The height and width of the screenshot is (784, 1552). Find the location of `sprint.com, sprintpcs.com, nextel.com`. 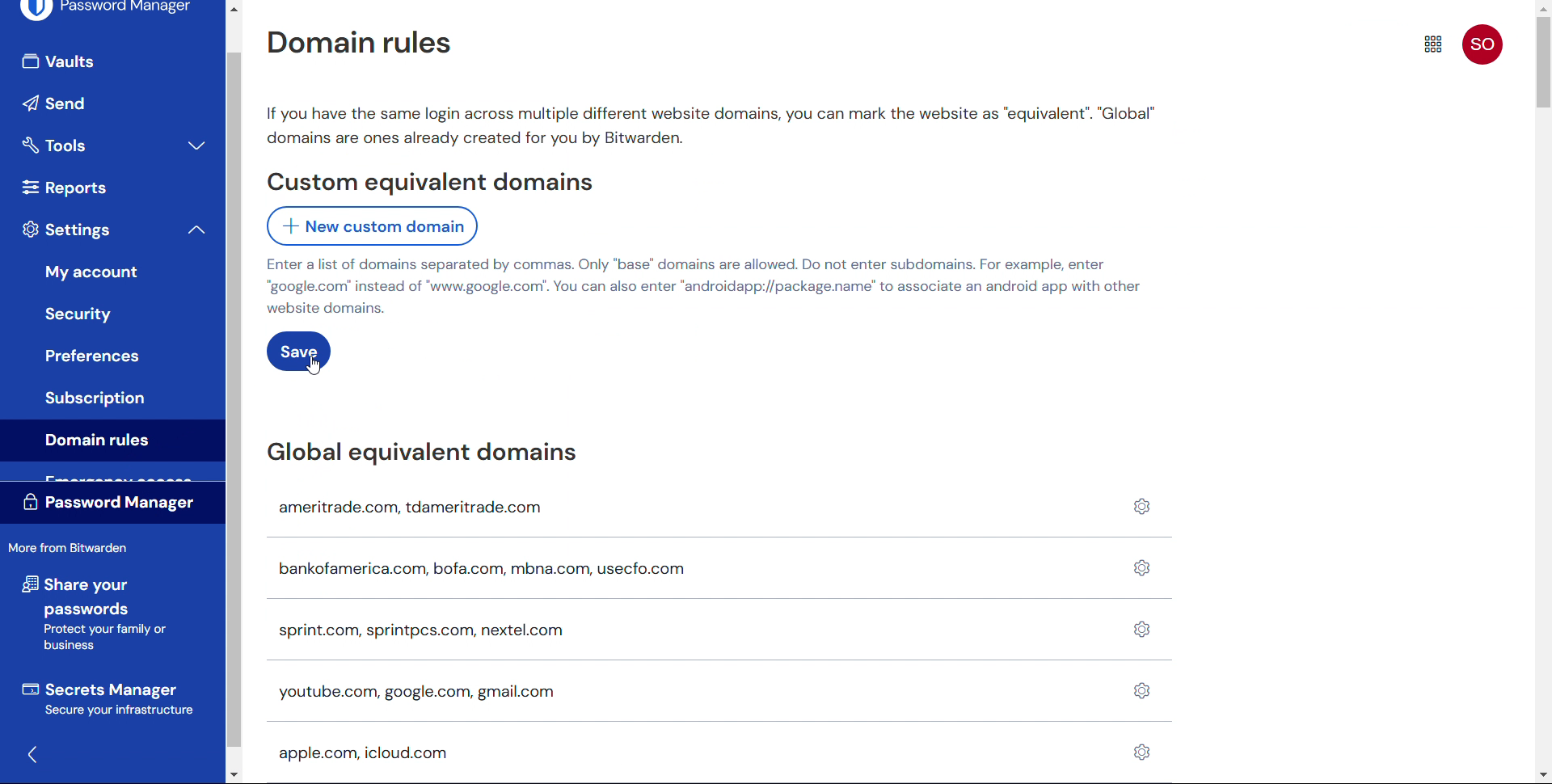

sprint.com, sprintpcs.com, nextel.com is located at coordinates (421, 632).